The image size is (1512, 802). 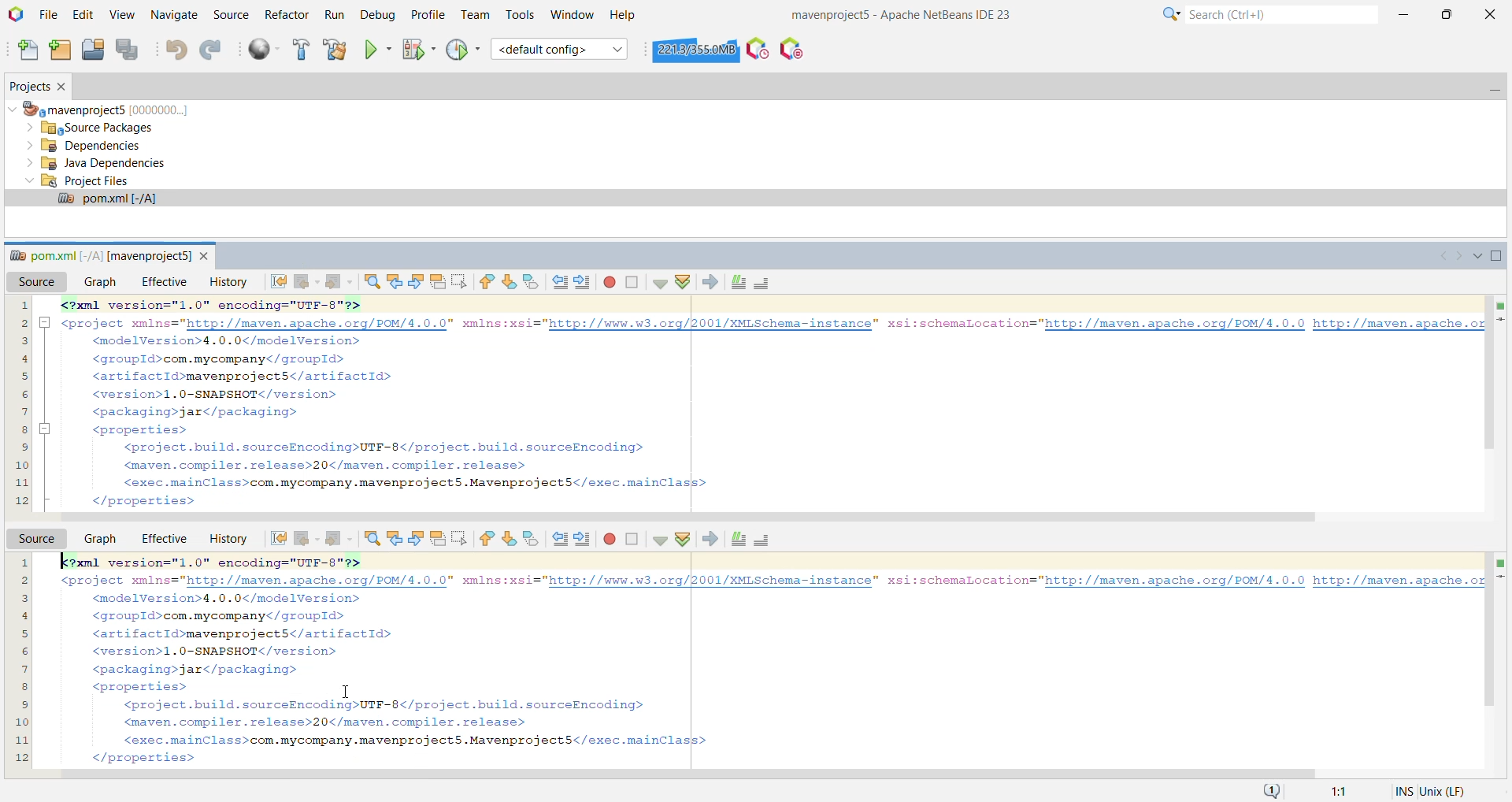 I want to click on Stop Macro Recording, so click(x=632, y=539).